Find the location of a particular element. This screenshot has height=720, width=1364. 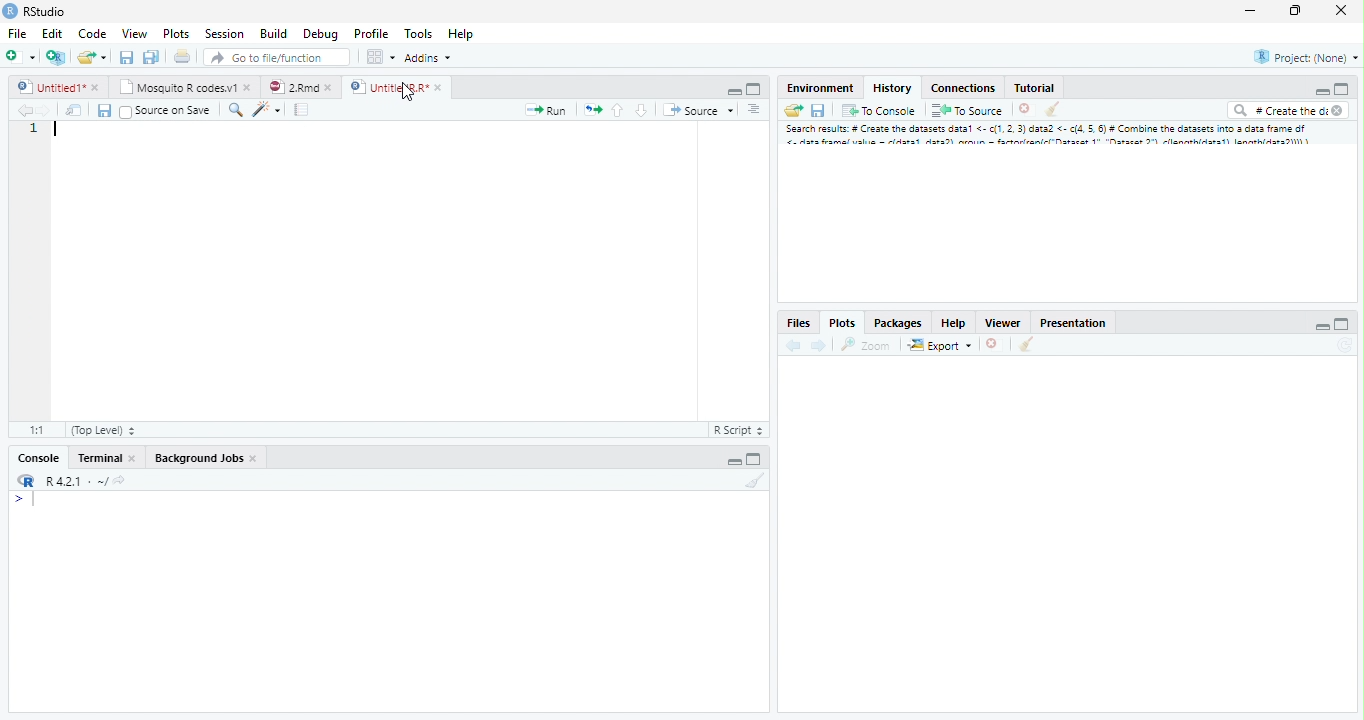

Run is located at coordinates (546, 110).